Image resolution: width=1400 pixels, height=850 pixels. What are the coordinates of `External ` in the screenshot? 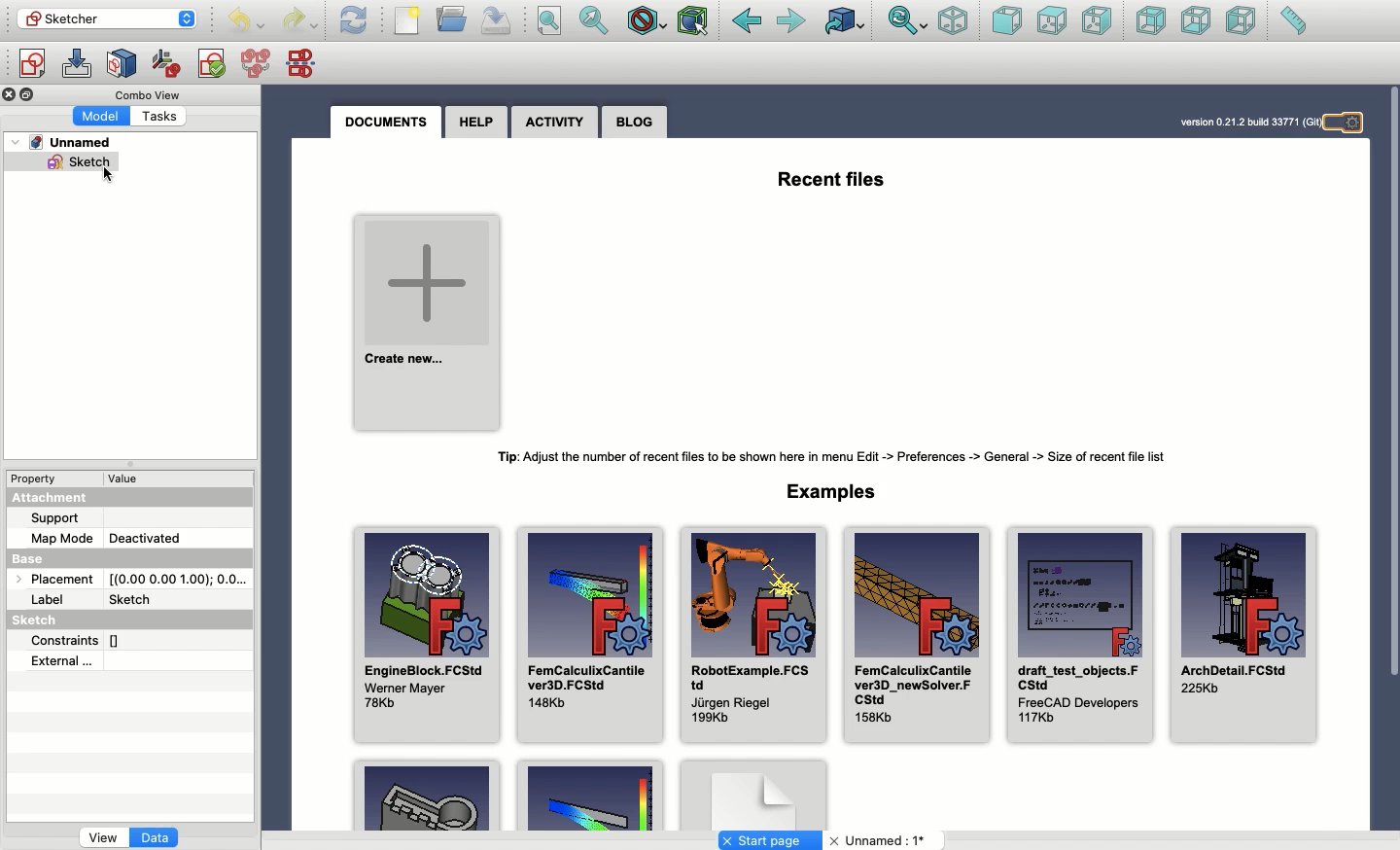 It's located at (63, 660).